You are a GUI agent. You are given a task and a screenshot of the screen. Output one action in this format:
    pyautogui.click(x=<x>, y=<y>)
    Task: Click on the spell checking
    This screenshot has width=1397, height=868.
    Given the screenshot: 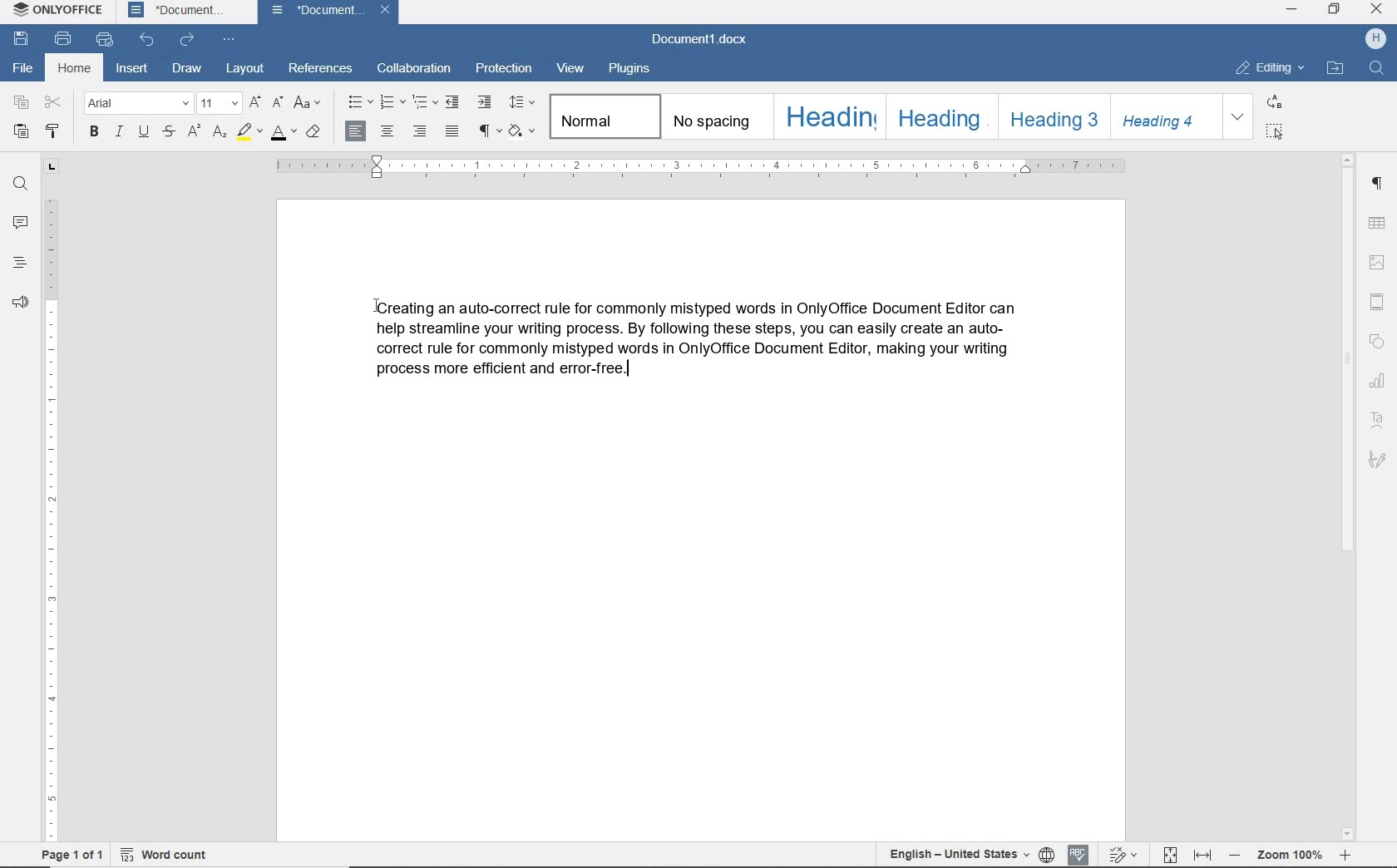 What is the action you would take?
    pyautogui.click(x=1075, y=854)
    